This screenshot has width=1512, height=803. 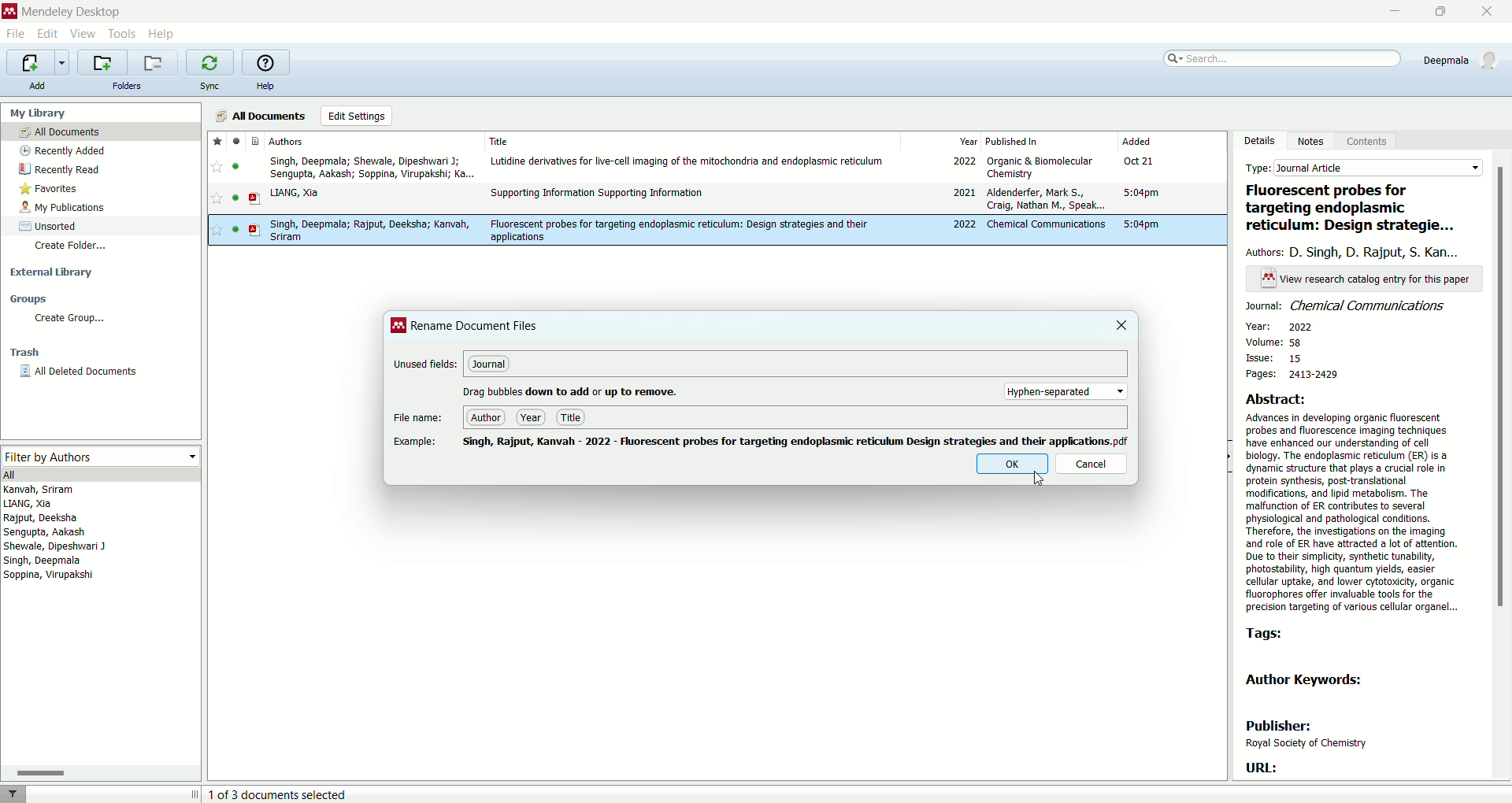 I want to click on URL, so click(x=1261, y=768).